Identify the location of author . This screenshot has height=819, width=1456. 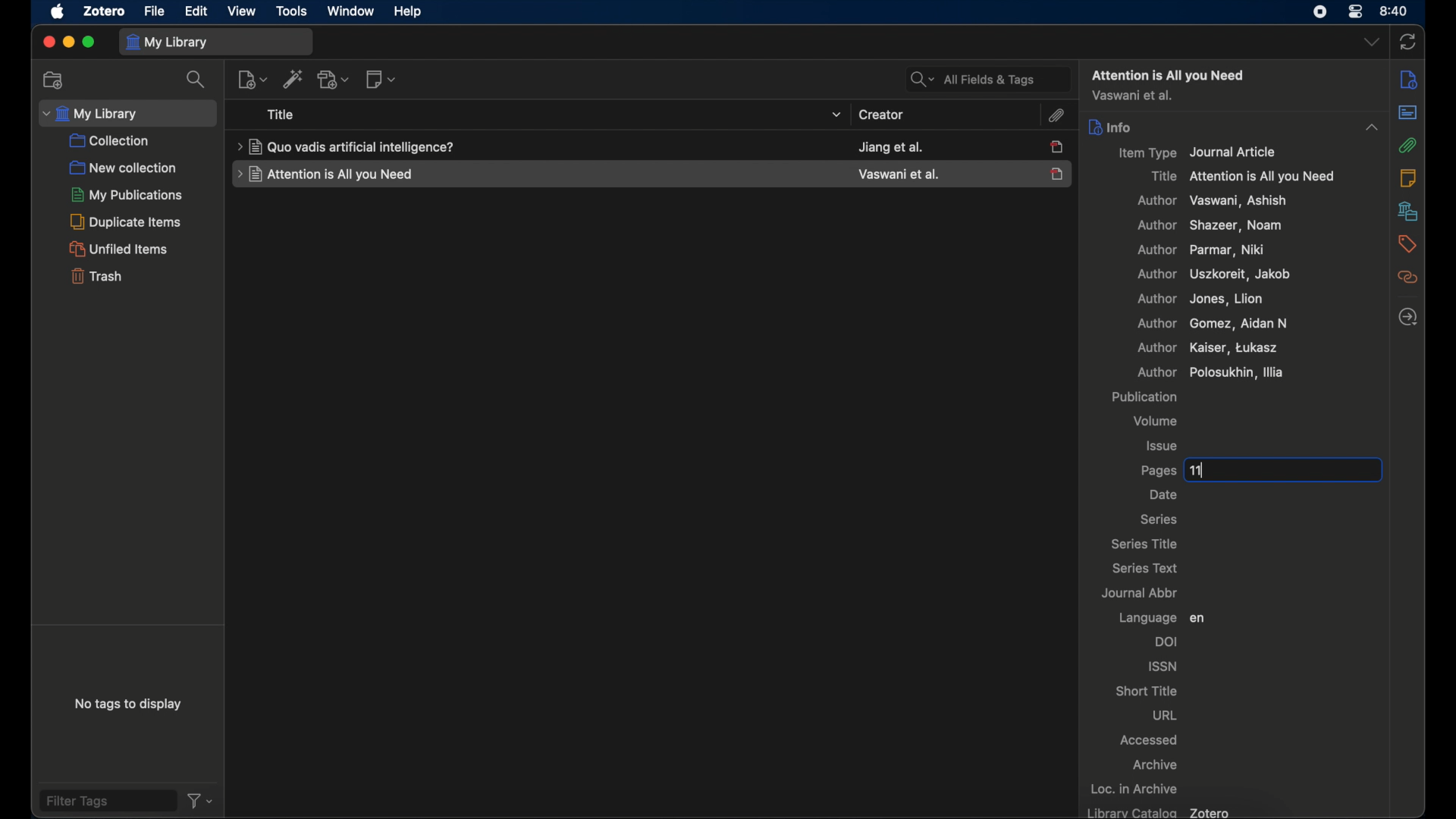
(1133, 96).